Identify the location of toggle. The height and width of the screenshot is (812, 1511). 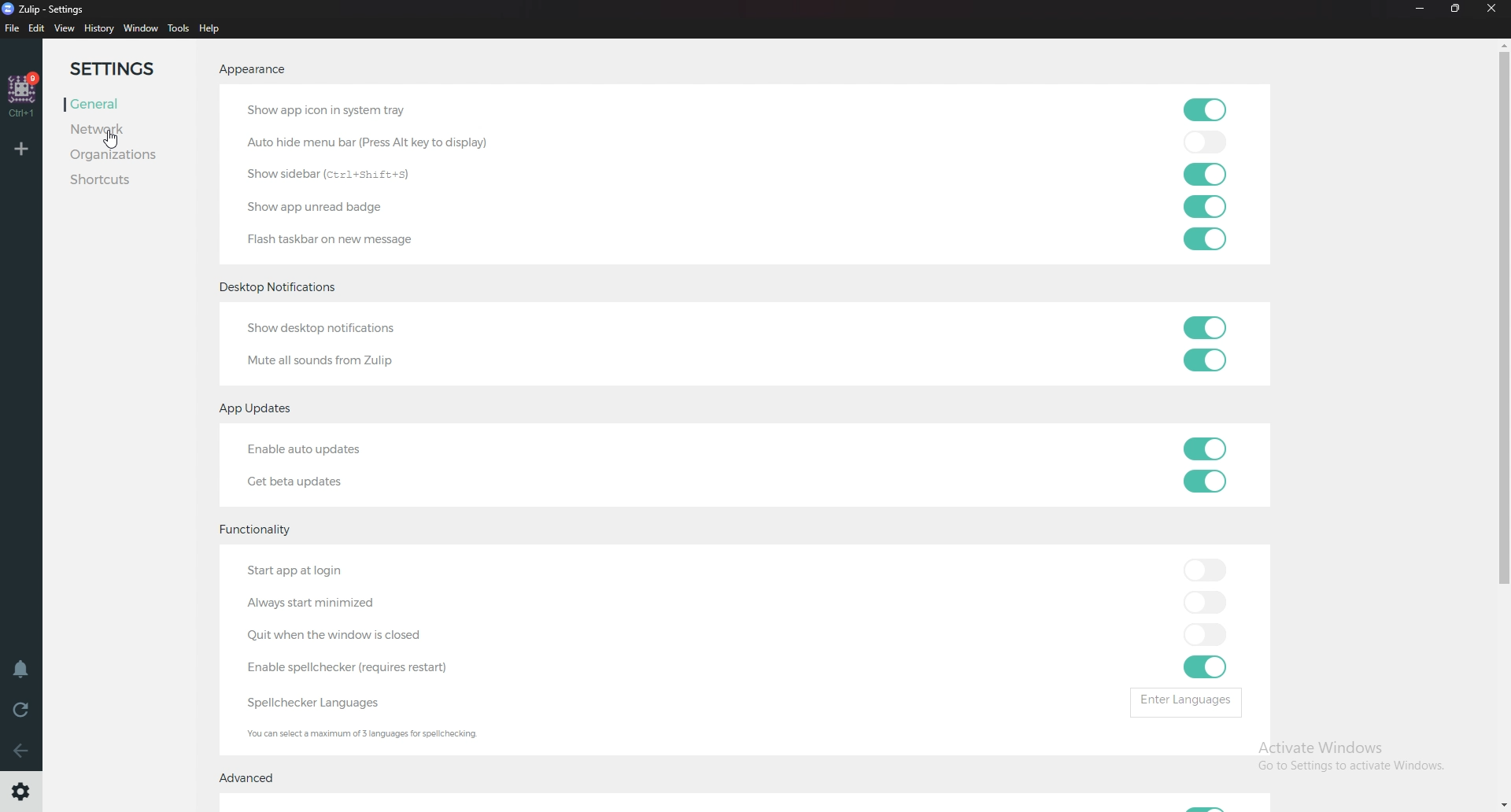
(1205, 173).